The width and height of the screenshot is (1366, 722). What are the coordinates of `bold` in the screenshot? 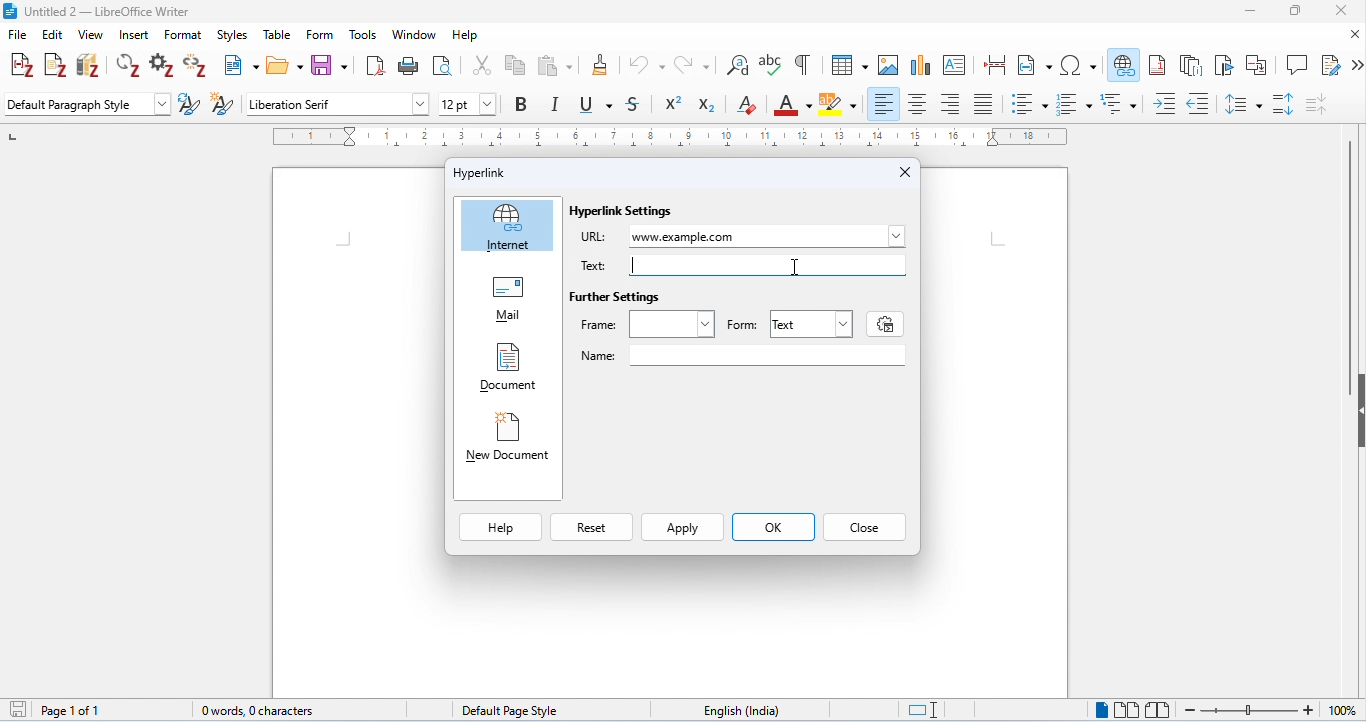 It's located at (522, 104).